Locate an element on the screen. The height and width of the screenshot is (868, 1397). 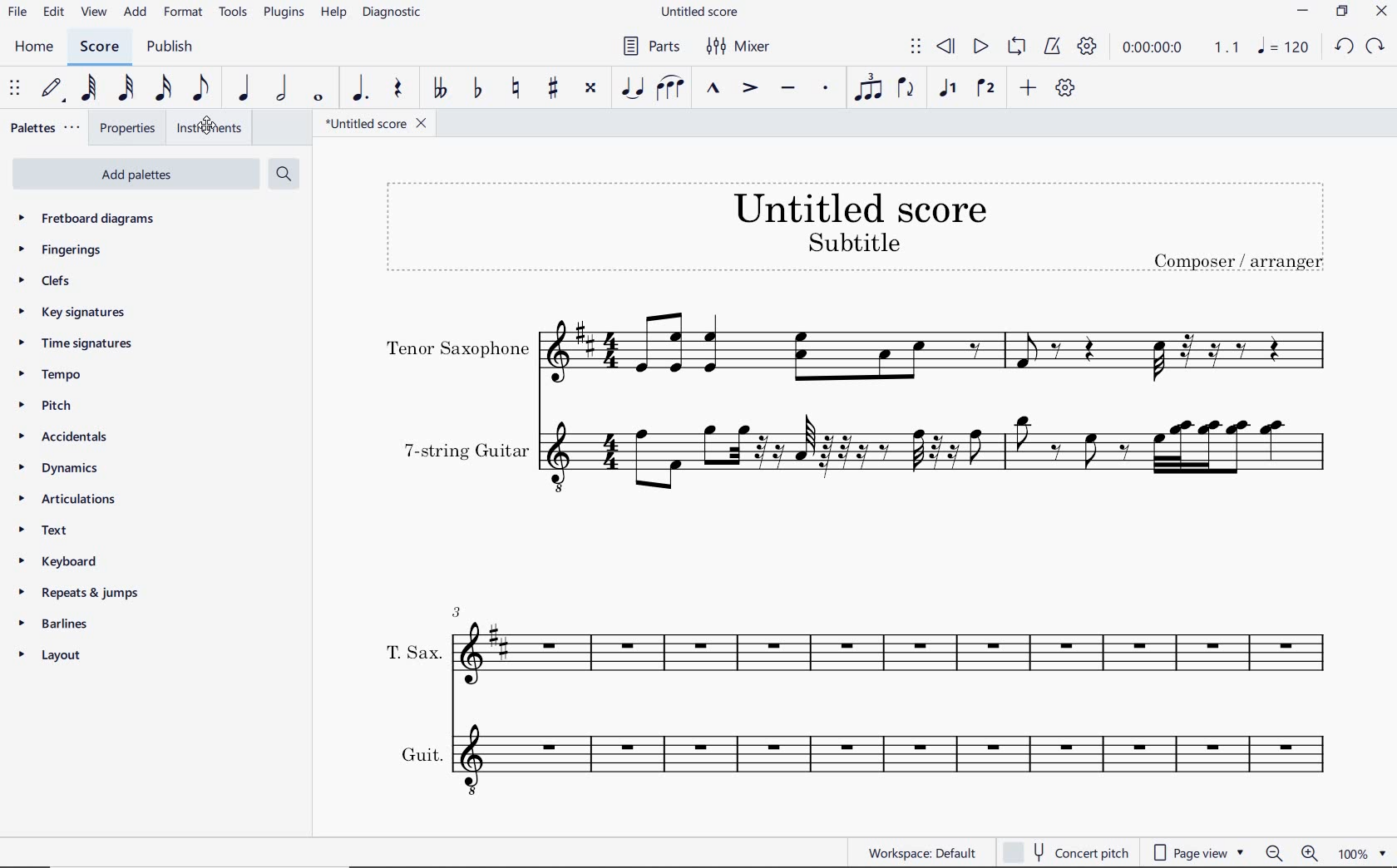
HALF NOTE is located at coordinates (281, 88).